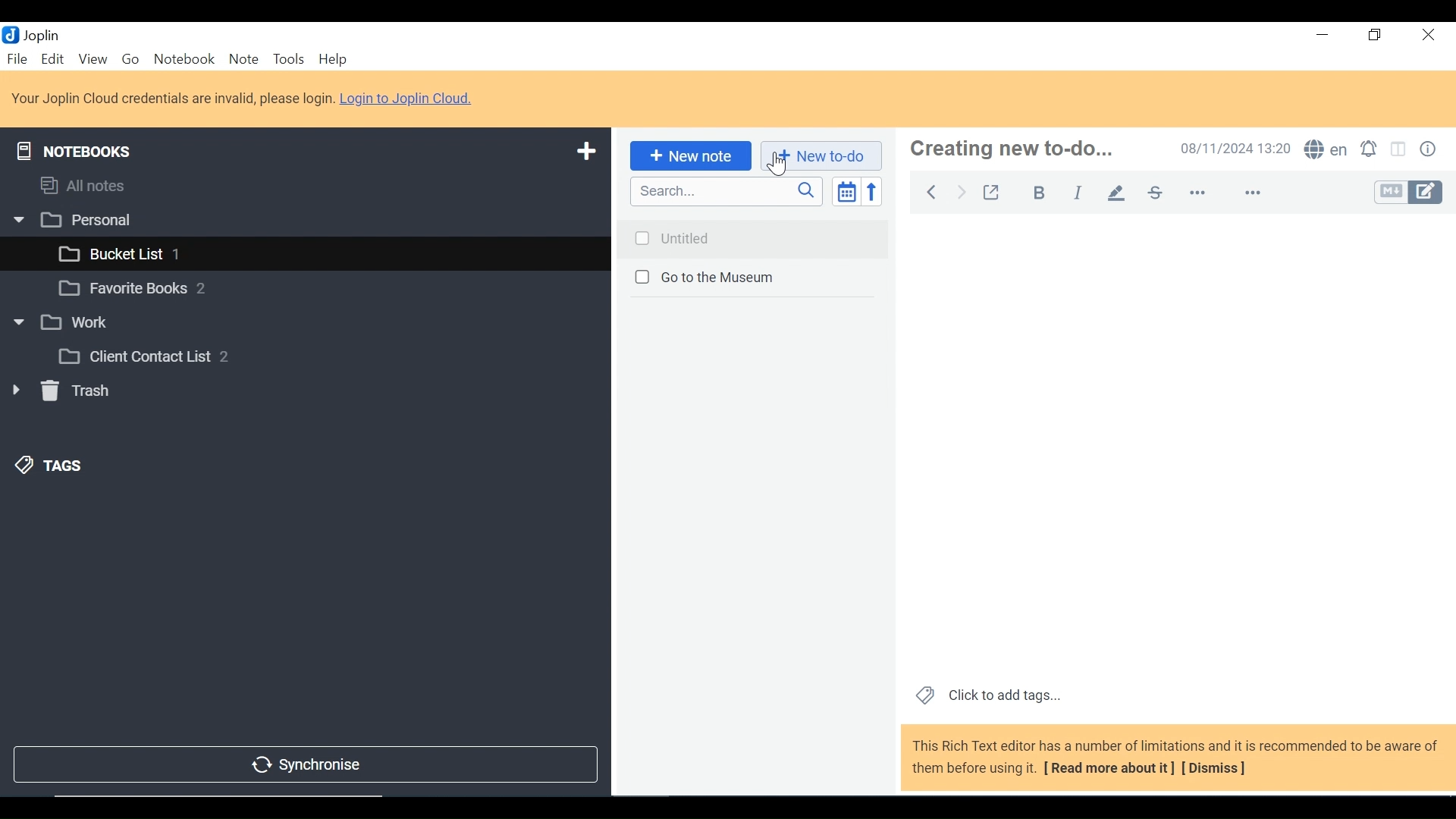  Describe the element at coordinates (301, 290) in the screenshot. I see `Notebook` at that location.